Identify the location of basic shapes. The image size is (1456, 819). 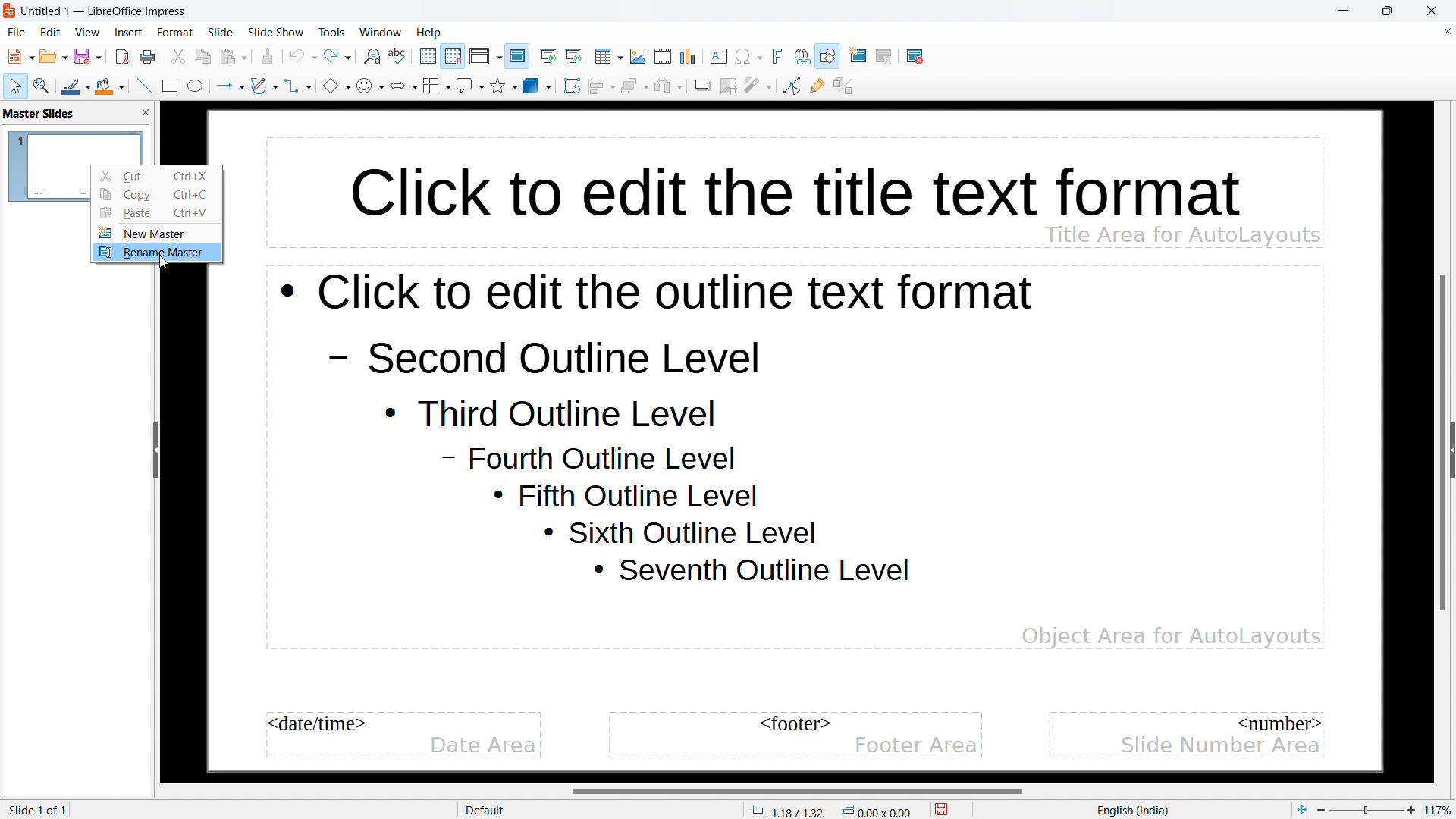
(337, 85).